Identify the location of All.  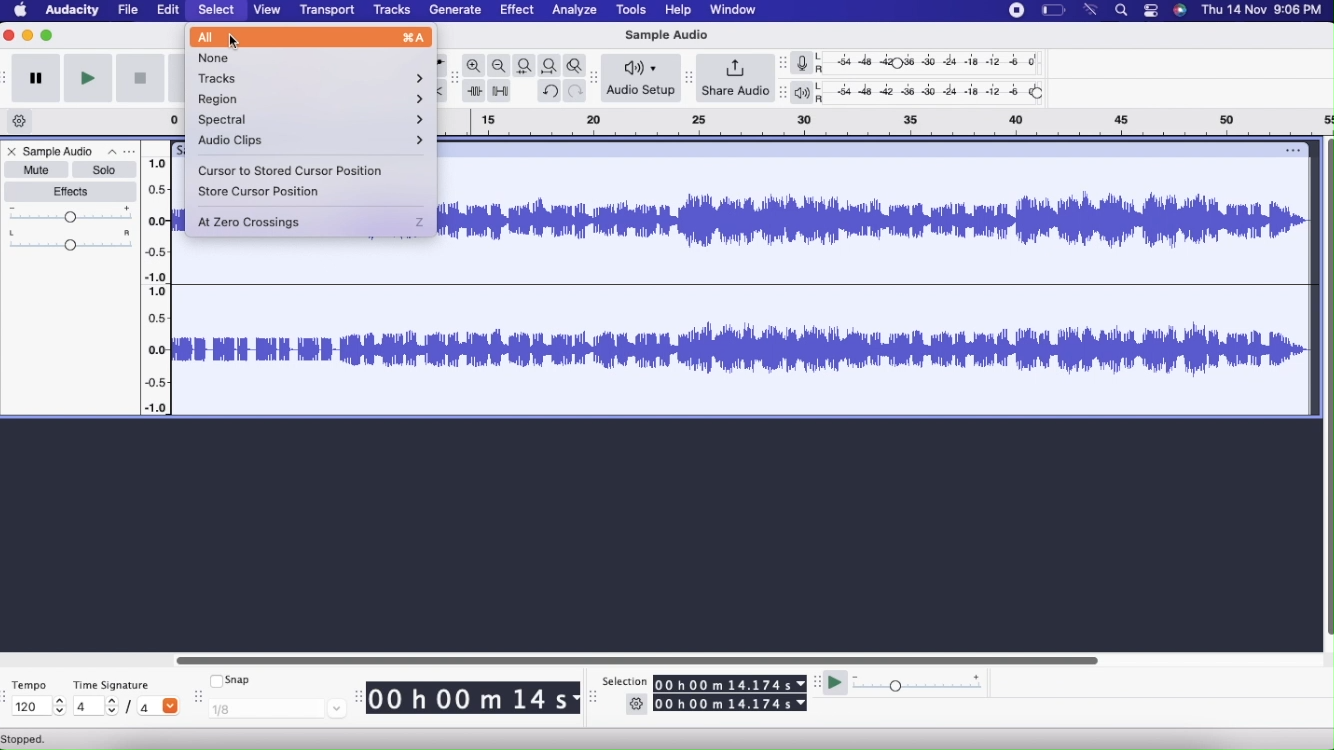
(313, 38).